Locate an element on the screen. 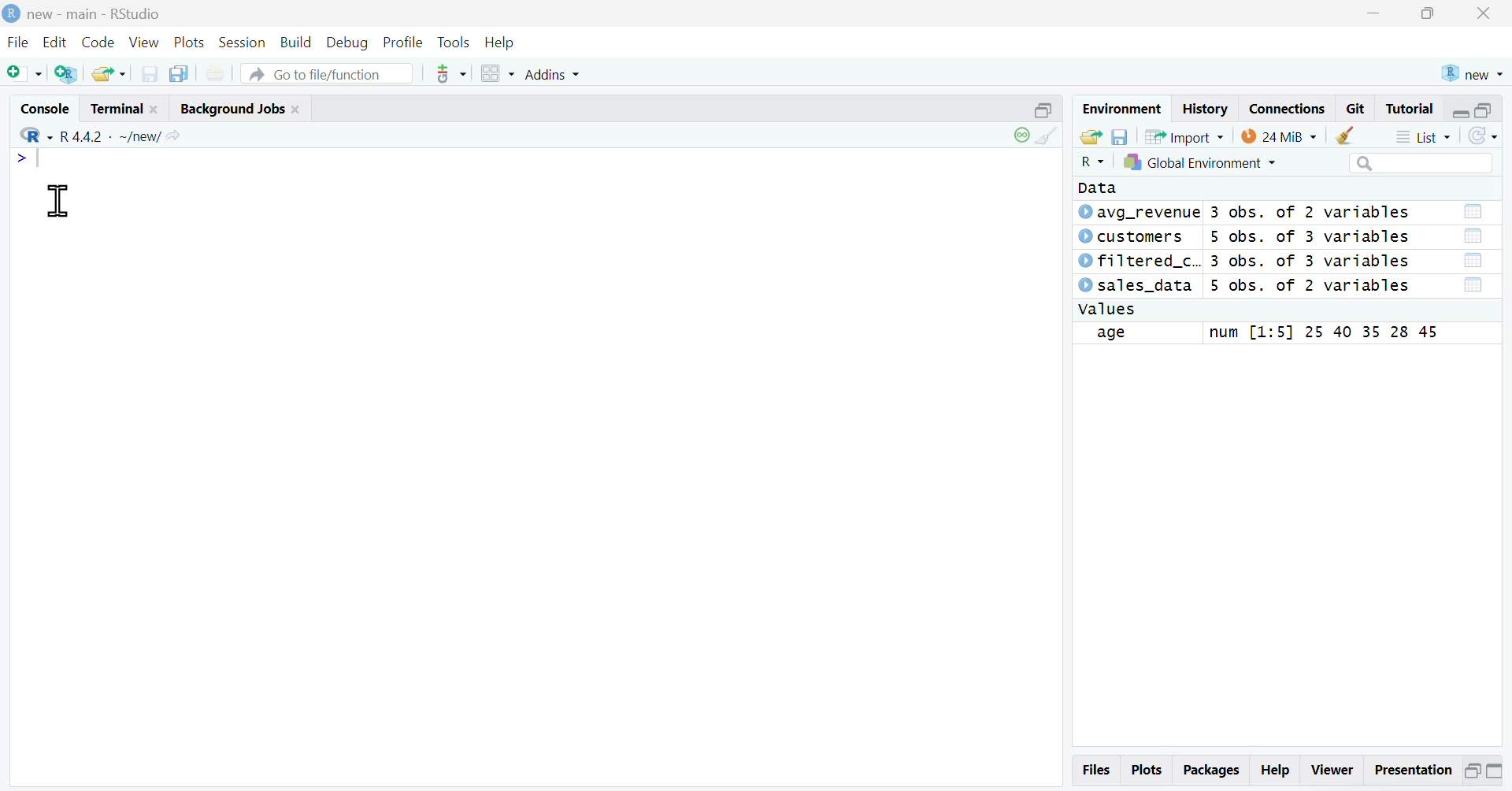 Image resolution: width=1512 pixels, height=791 pixels. History is located at coordinates (1206, 109).